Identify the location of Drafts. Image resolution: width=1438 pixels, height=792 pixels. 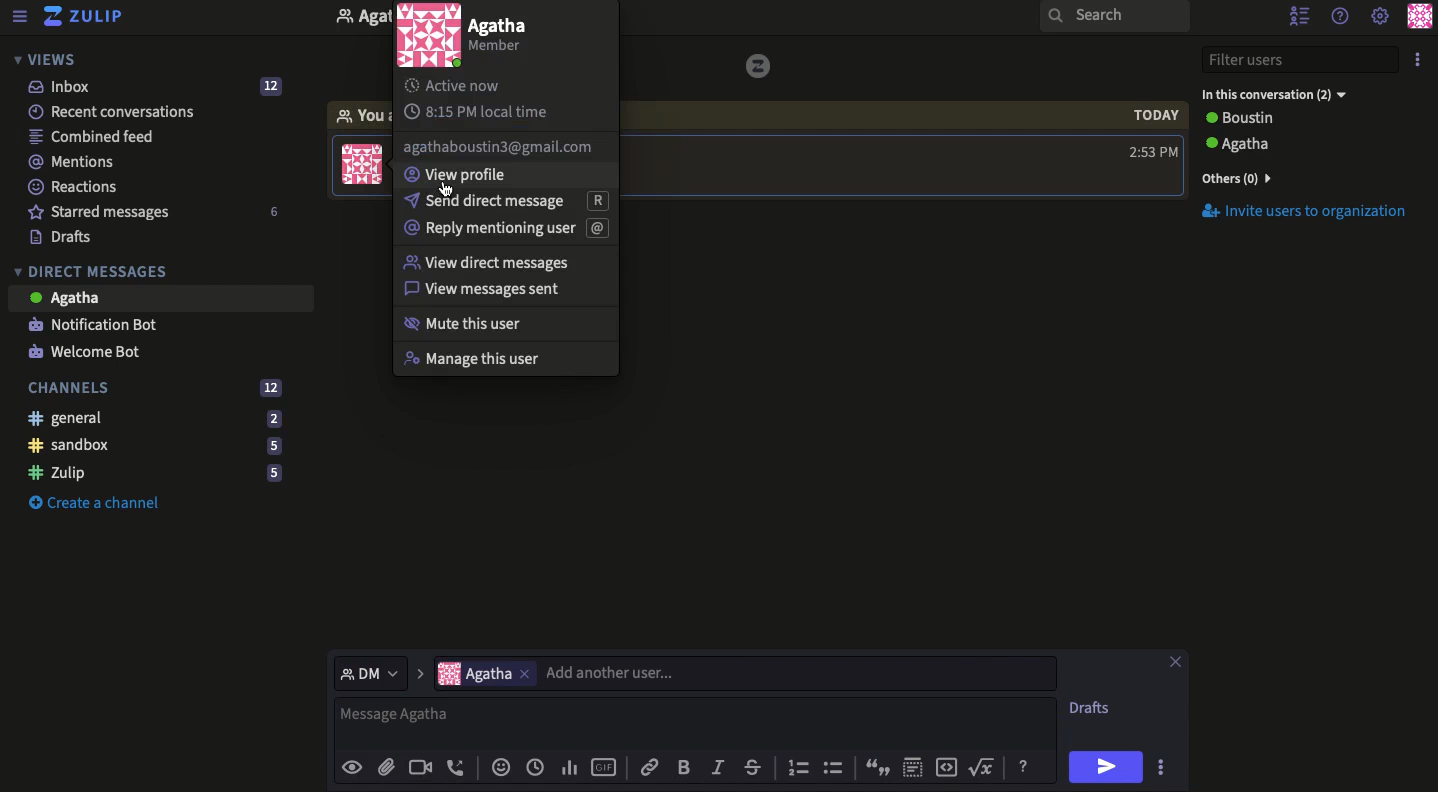
(1091, 707).